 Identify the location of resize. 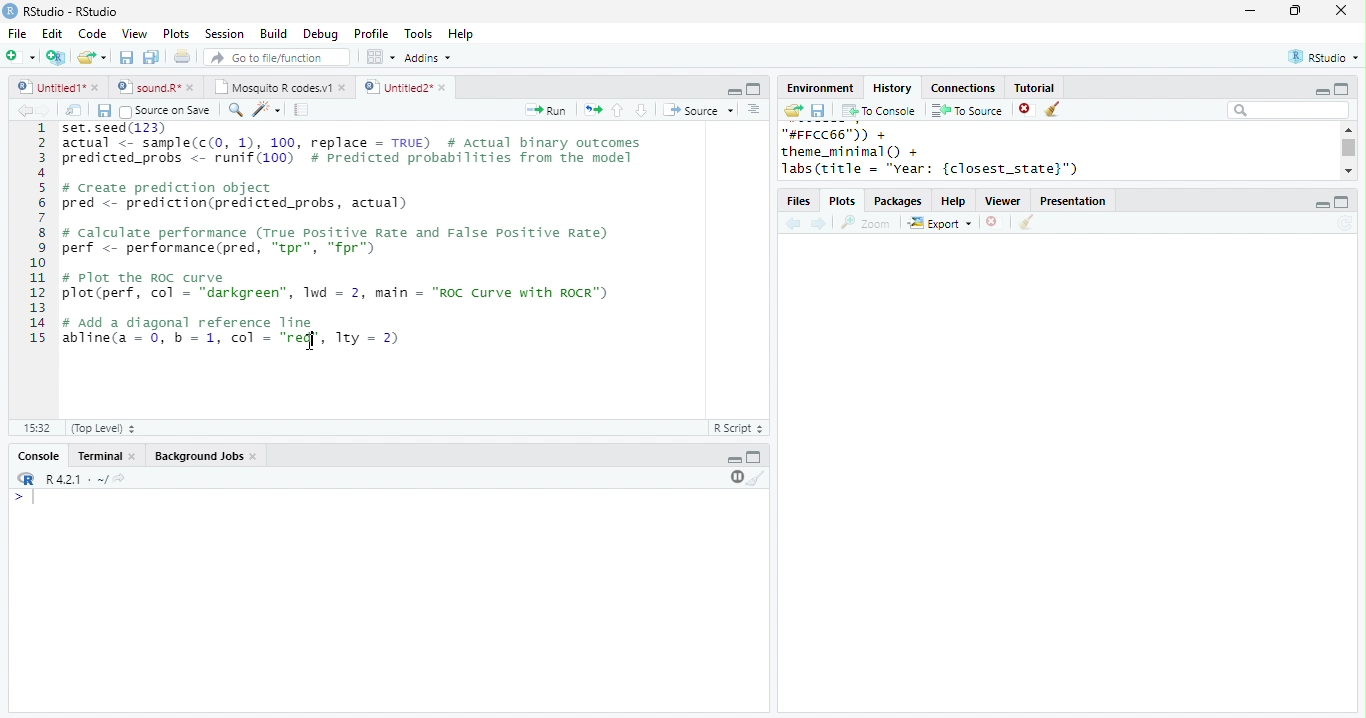
(1295, 11).